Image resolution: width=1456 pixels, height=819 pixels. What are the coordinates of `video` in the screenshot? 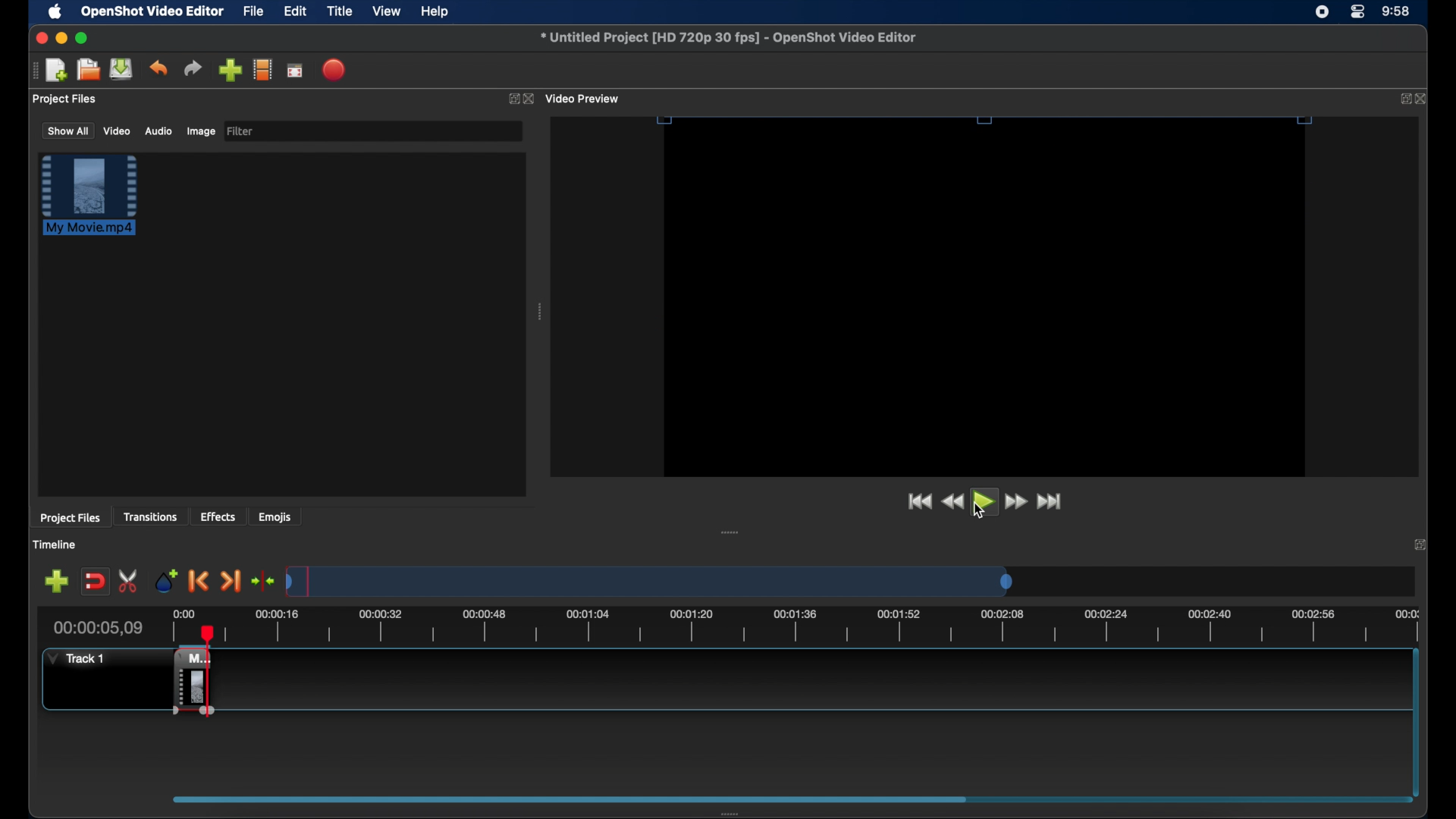 It's located at (118, 130).